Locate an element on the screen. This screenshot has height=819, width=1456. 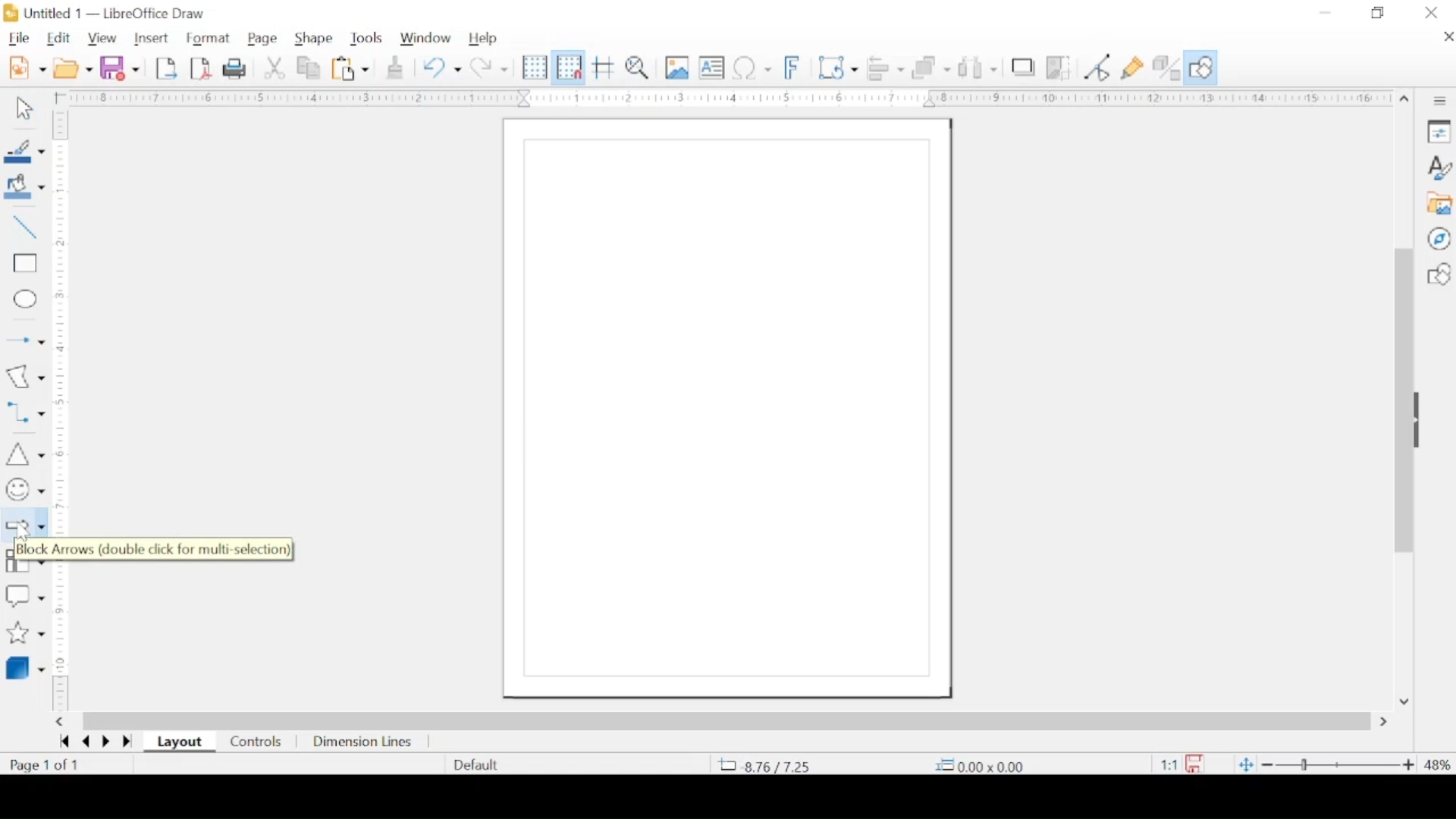
clone formatting is located at coordinates (395, 67).